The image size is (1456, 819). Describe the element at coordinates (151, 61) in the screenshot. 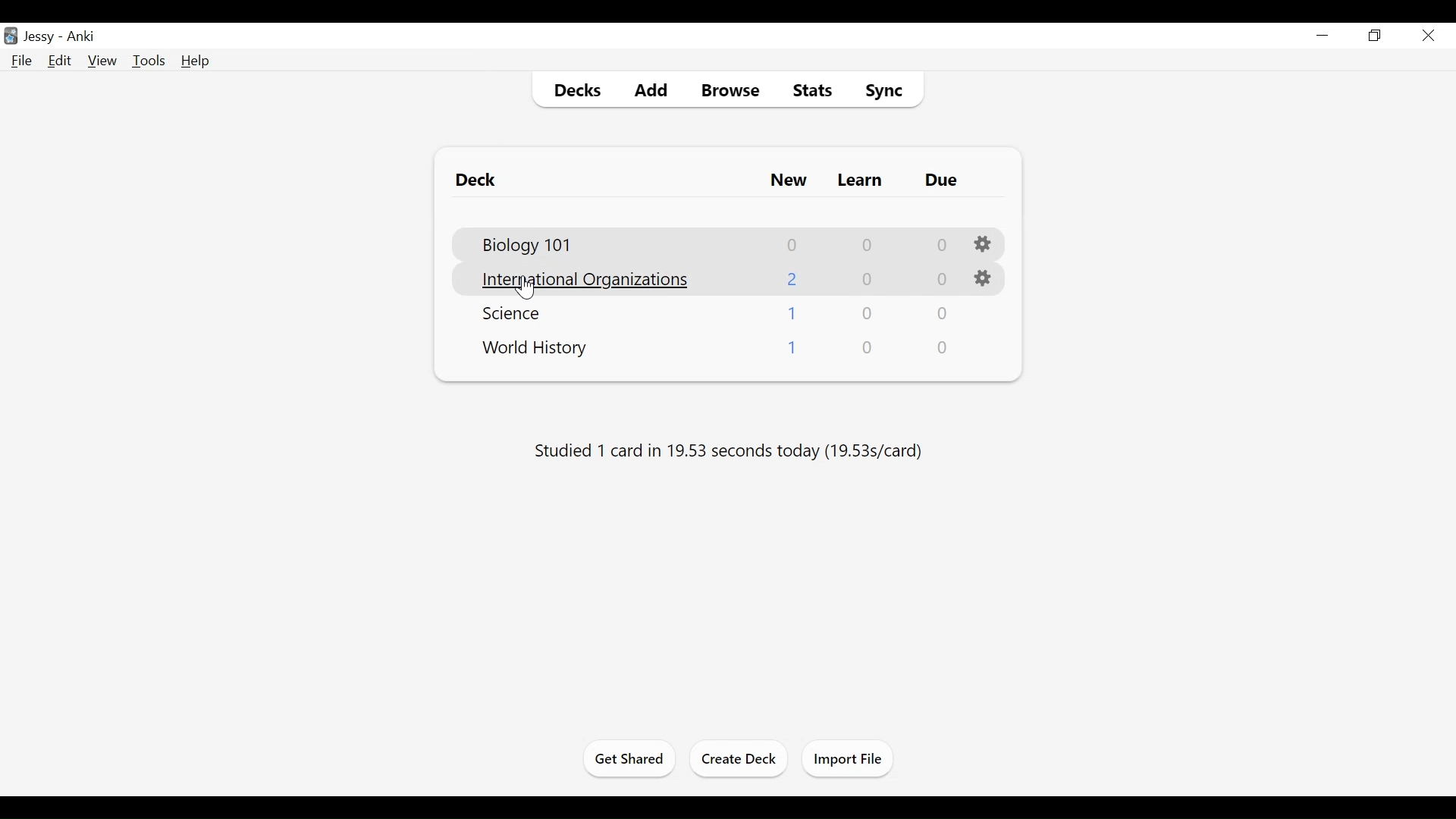

I see `Tools` at that location.